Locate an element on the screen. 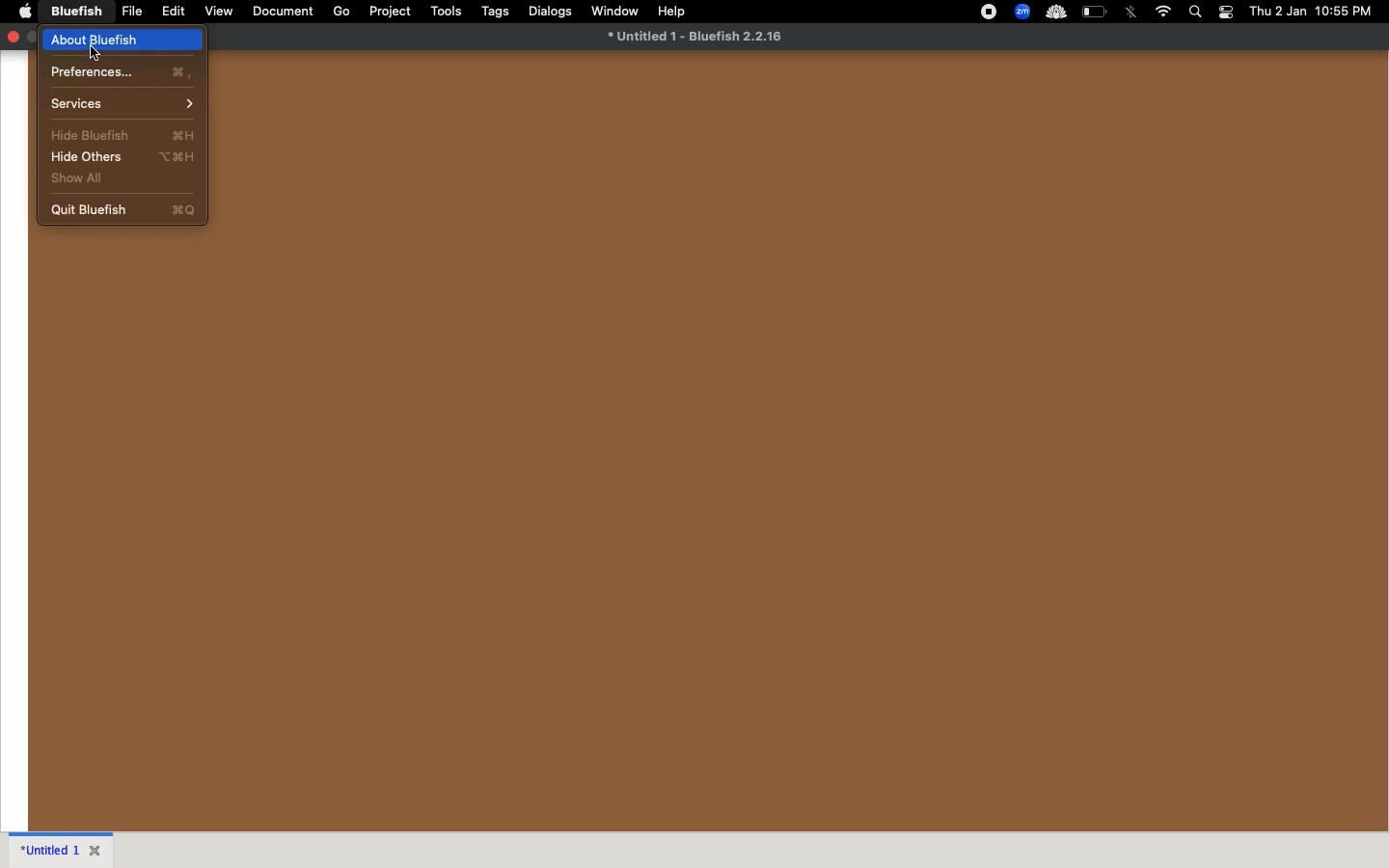 This screenshot has width=1389, height=868. close is located at coordinates (13, 36).